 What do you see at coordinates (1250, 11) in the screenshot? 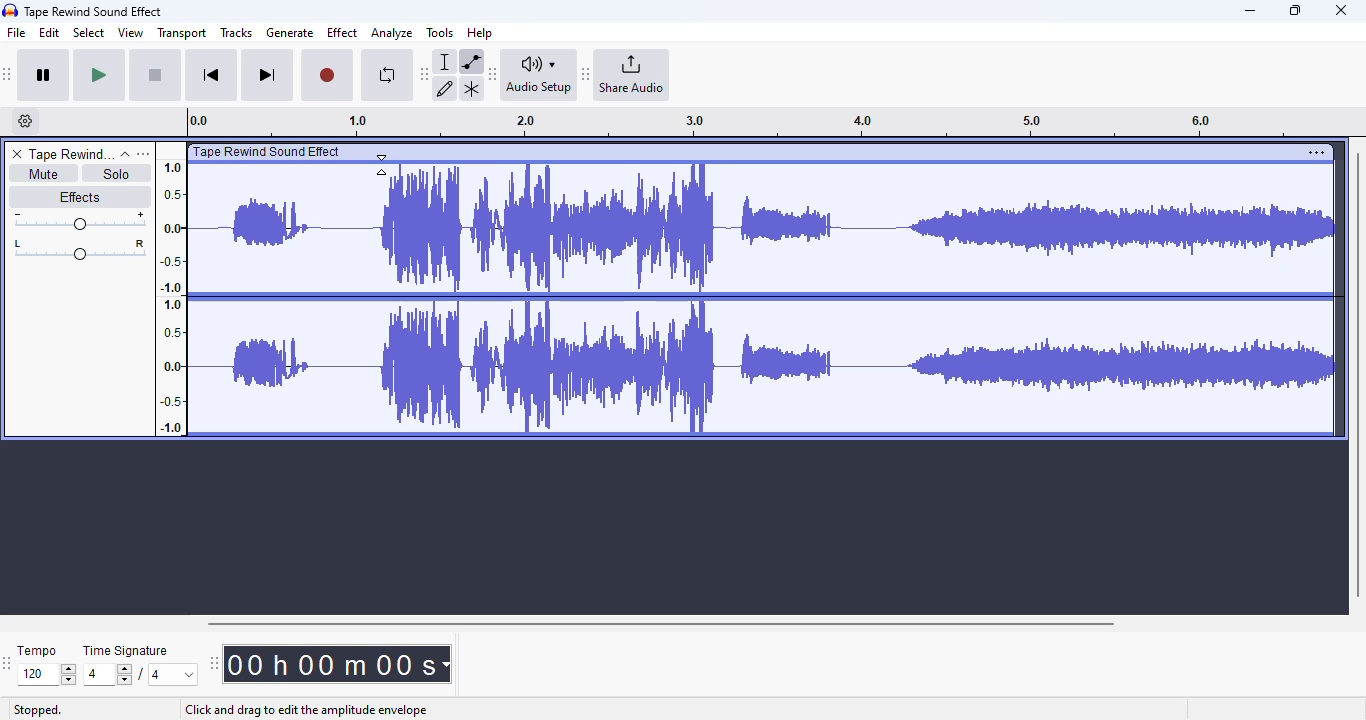
I see `minimize` at bounding box center [1250, 11].